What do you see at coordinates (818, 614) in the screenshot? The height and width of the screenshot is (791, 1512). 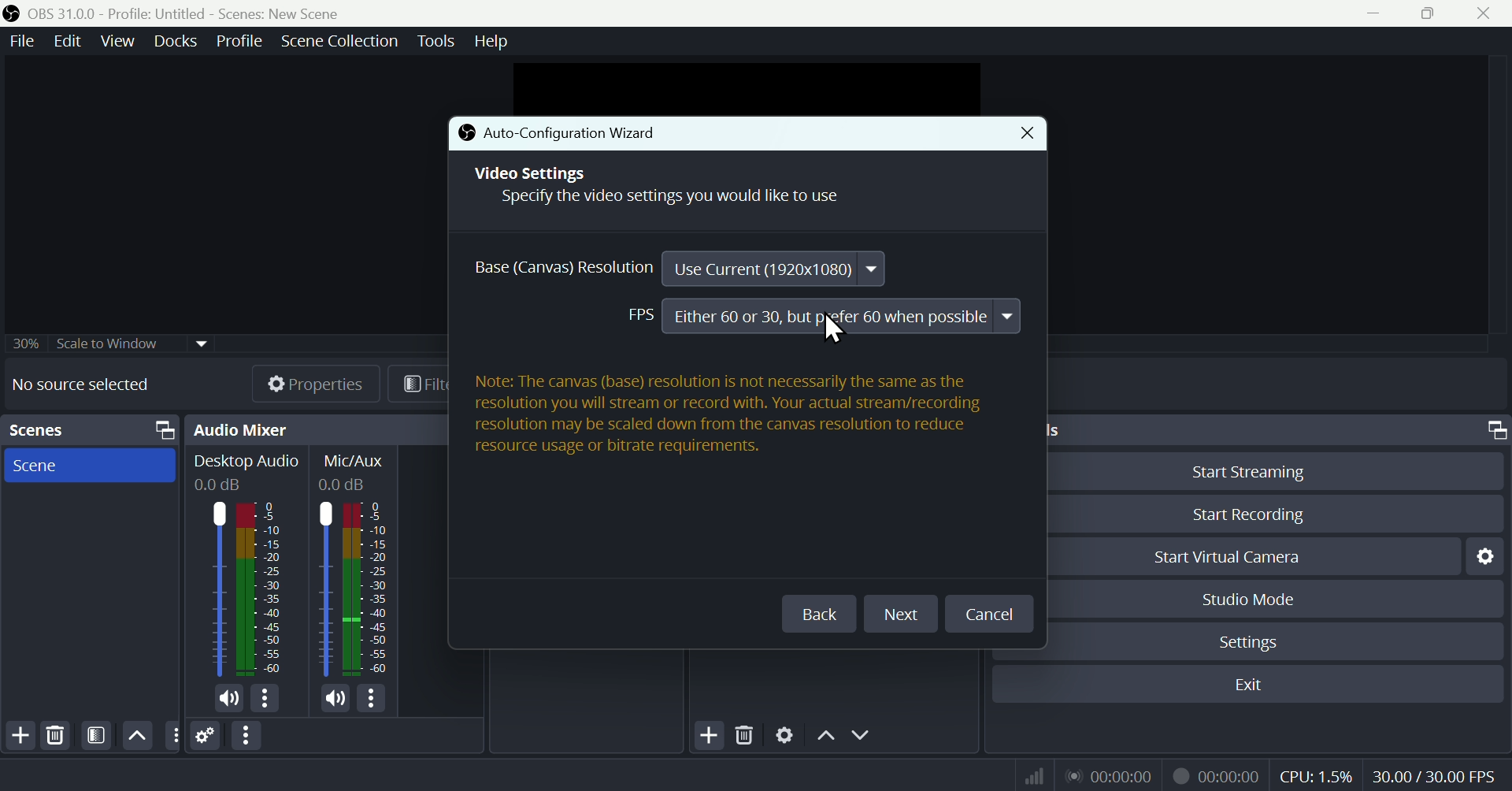 I see `Back` at bounding box center [818, 614].